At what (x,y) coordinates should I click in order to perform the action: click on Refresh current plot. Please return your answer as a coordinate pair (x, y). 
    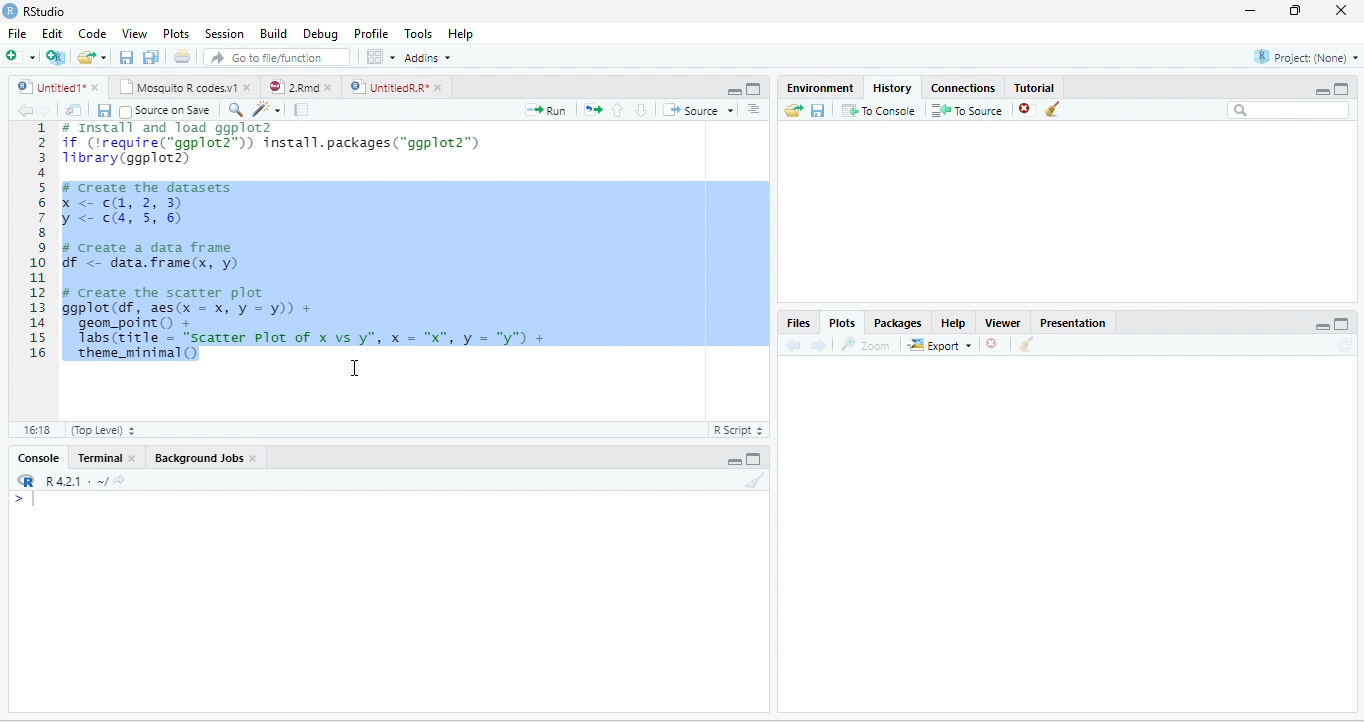
    Looking at the image, I should click on (1344, 344).